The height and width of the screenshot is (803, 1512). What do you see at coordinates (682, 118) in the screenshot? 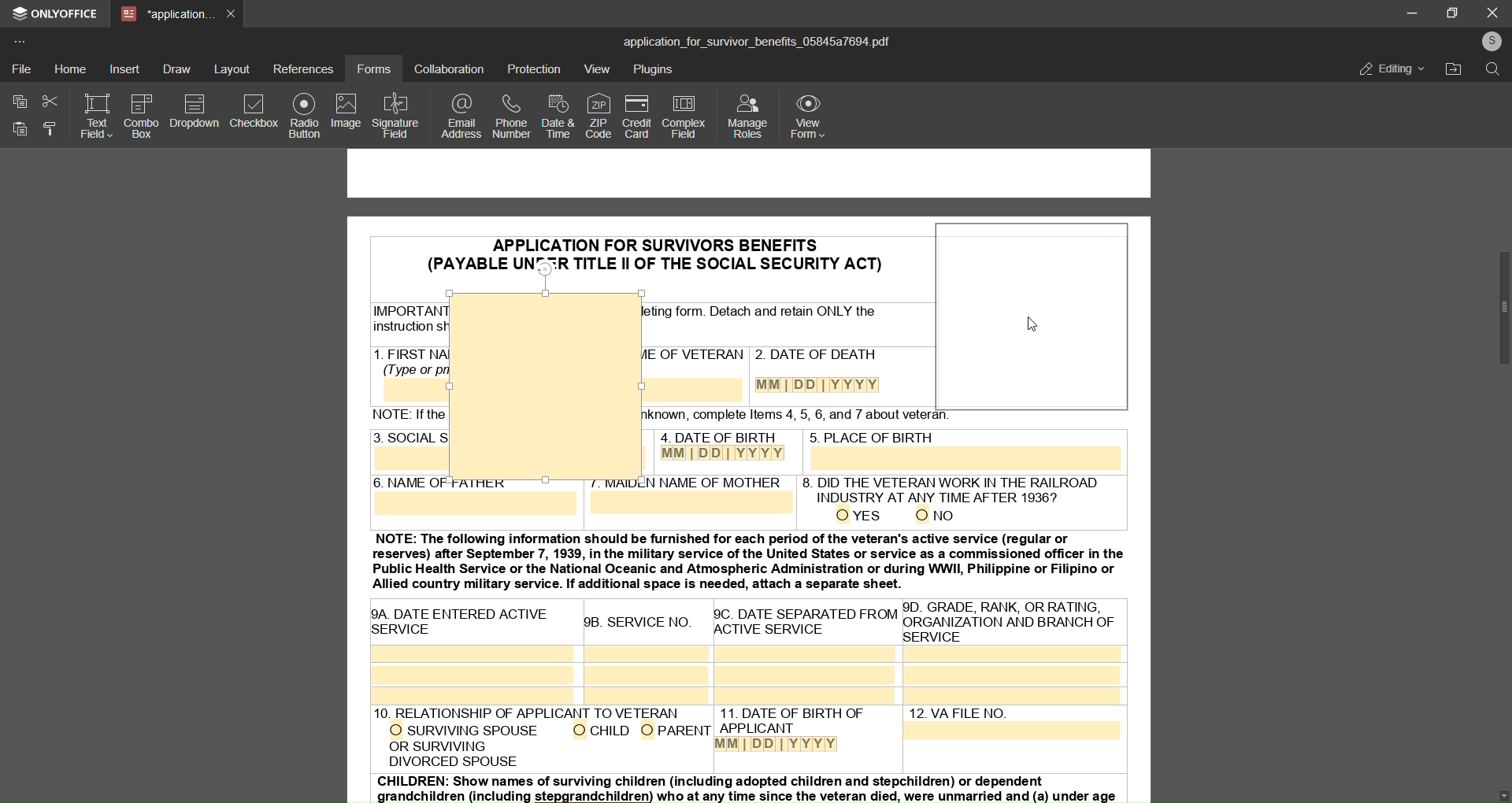
I see `complex field` at bounding box center [682, 118].